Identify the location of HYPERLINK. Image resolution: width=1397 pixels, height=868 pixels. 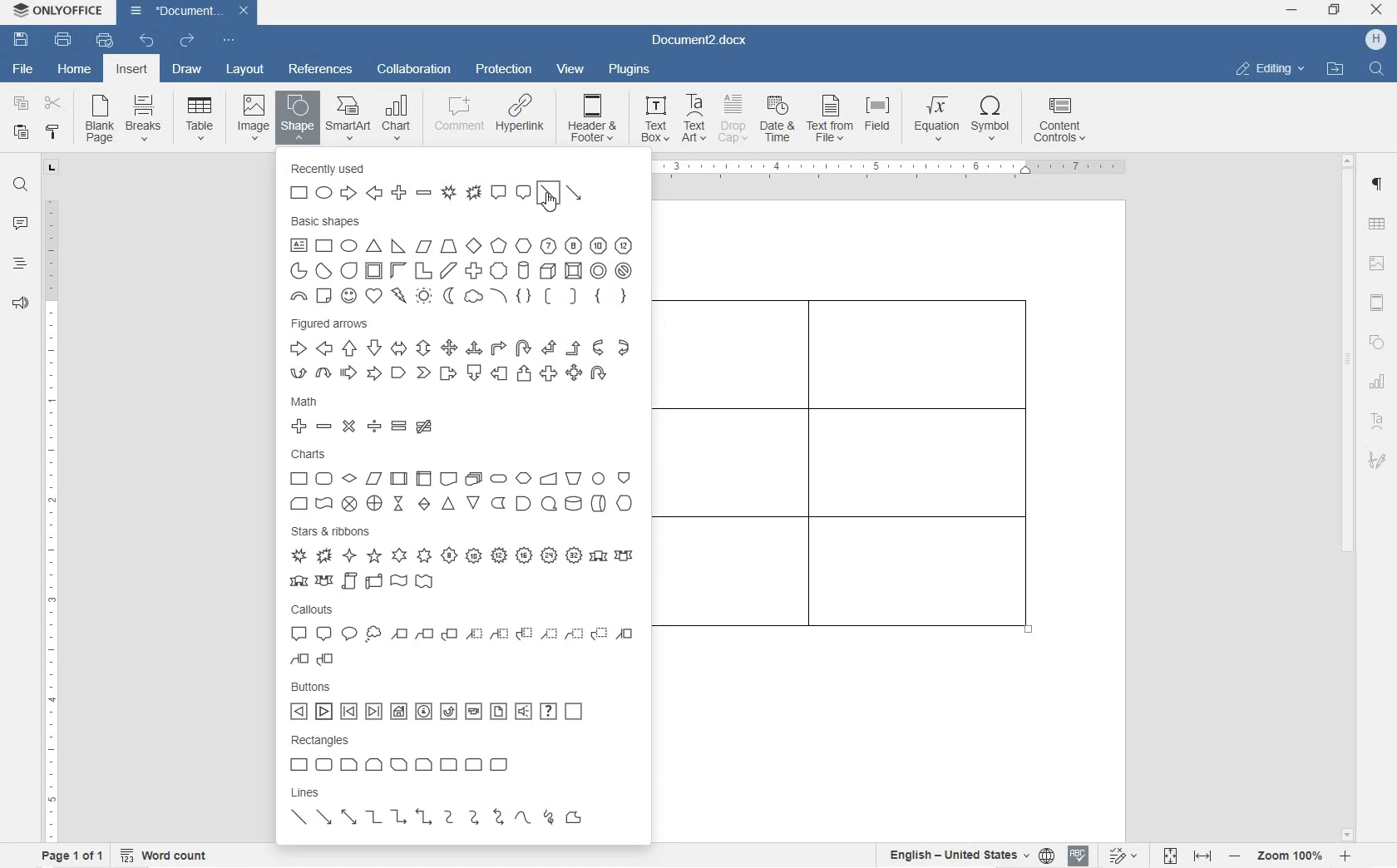
(521, 119).